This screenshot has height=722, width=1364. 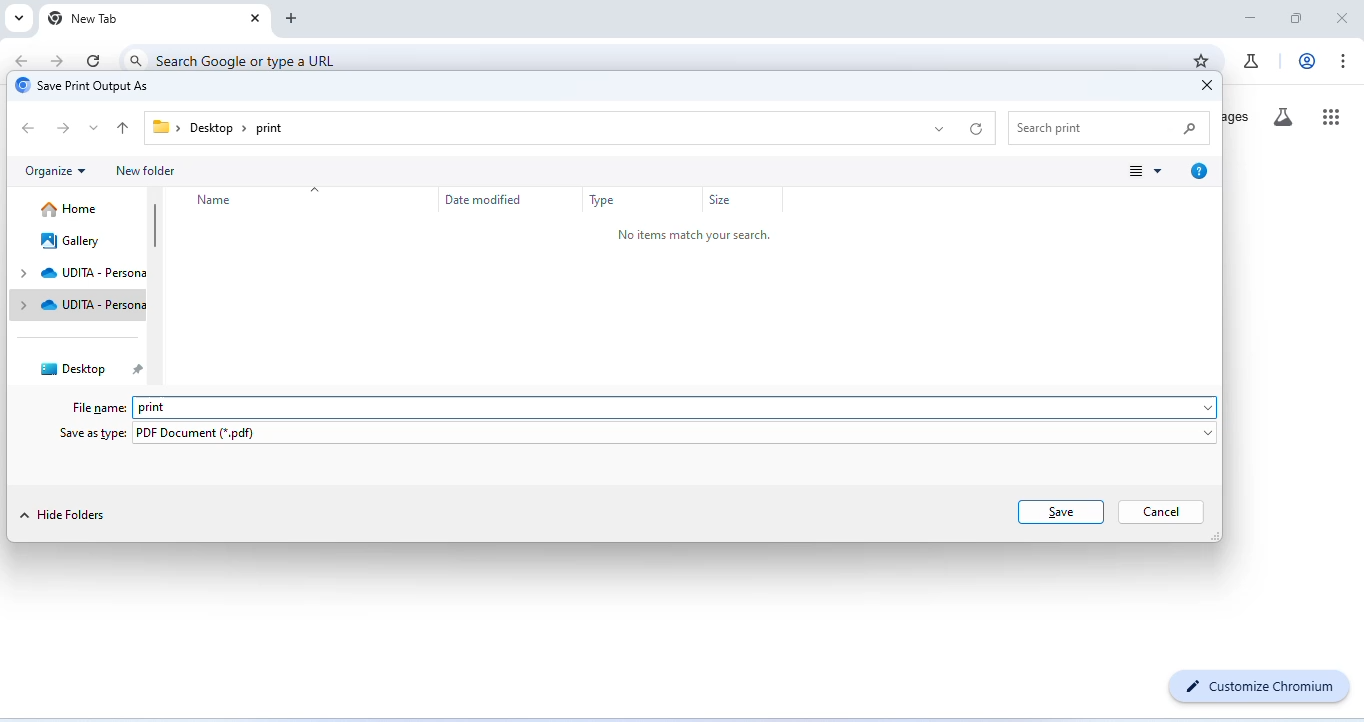 I want to click on add new tab, so click(x=294, y=18).